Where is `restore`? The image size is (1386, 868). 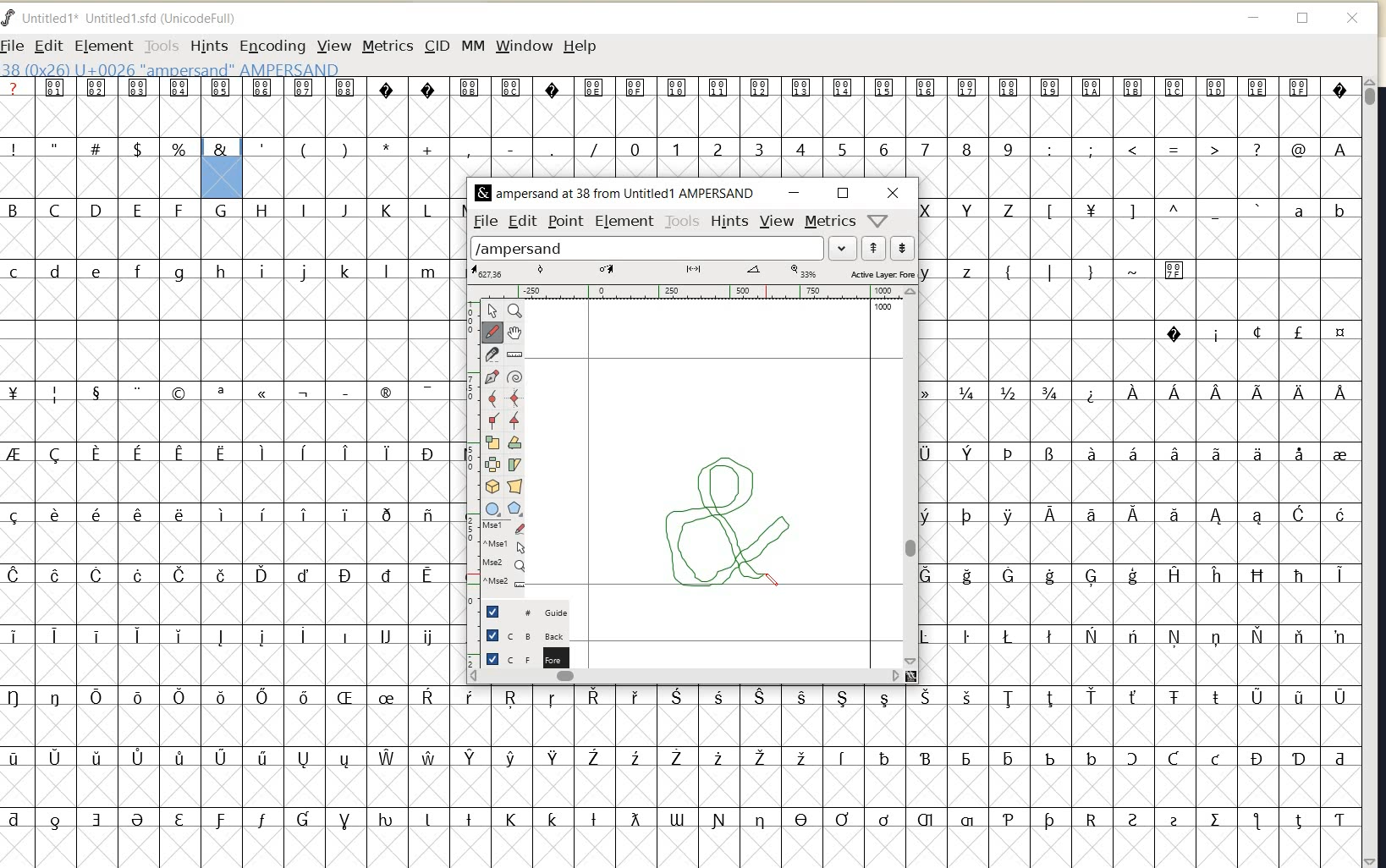 restore is located at coordinates (1302, 19).